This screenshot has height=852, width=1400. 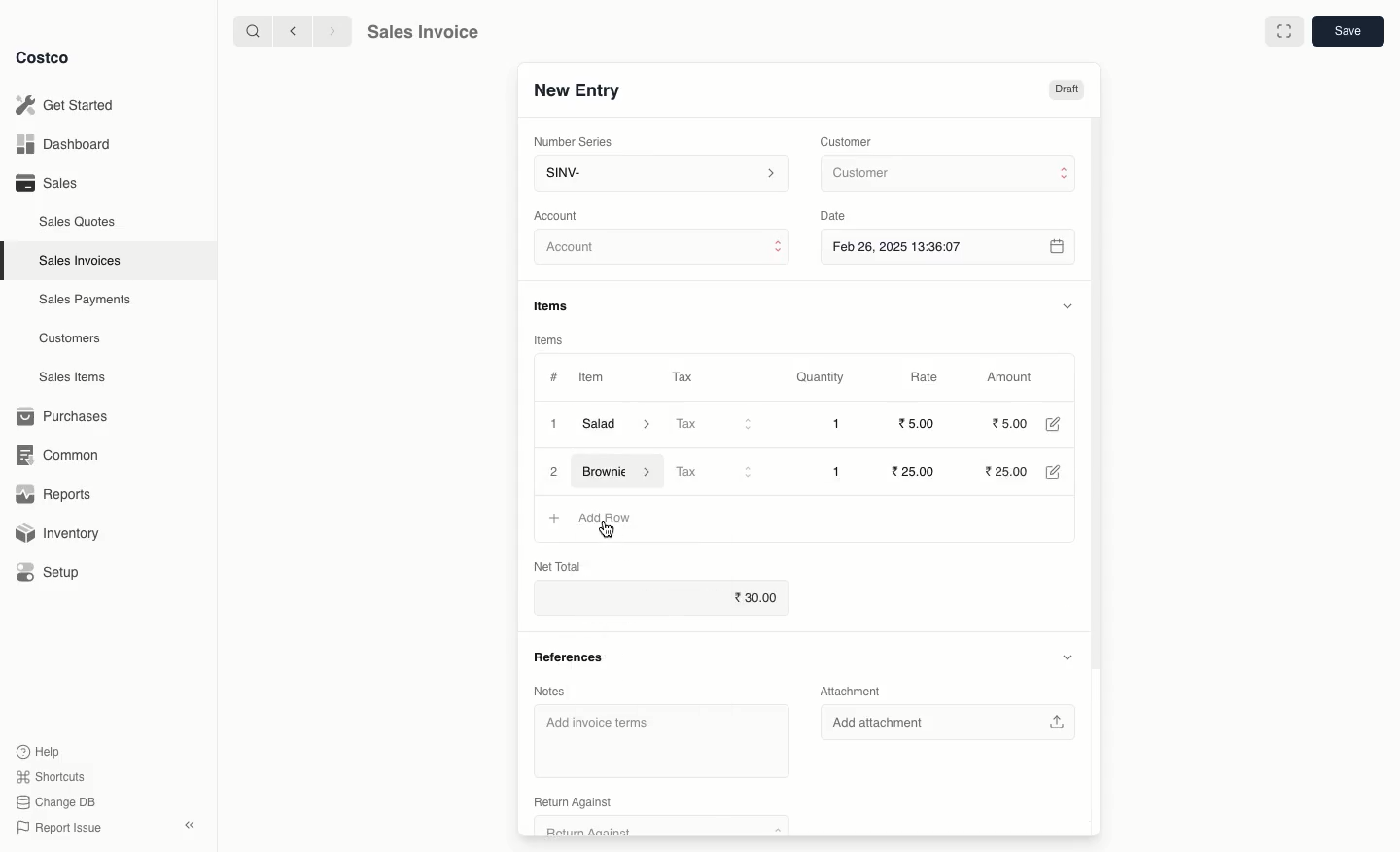 I want to click on Customer, so click(x=946, y=174).